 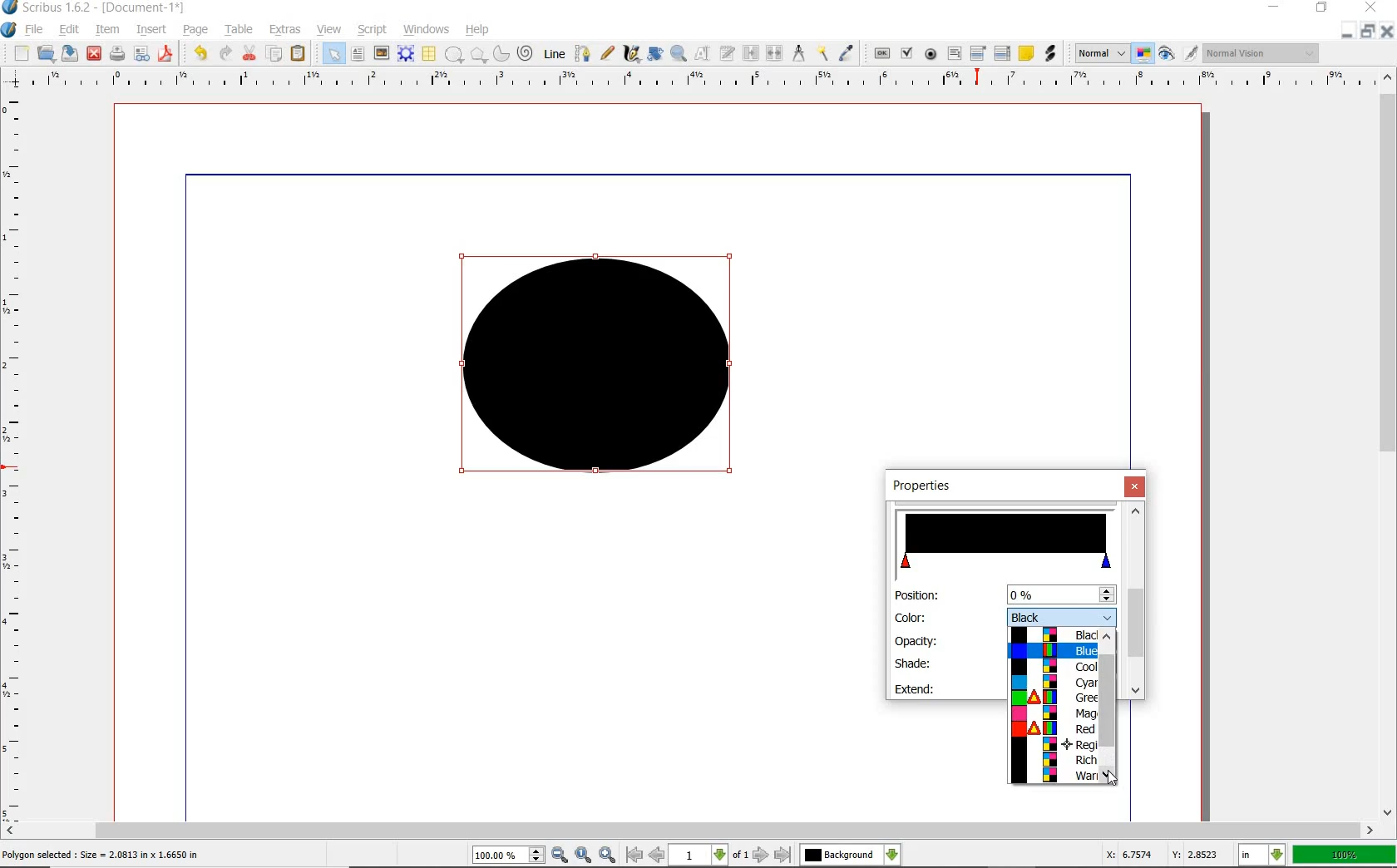 What do you see at coordinates (634, 855) in the screenshot?
I see `first` at bounding box center [634, 855].